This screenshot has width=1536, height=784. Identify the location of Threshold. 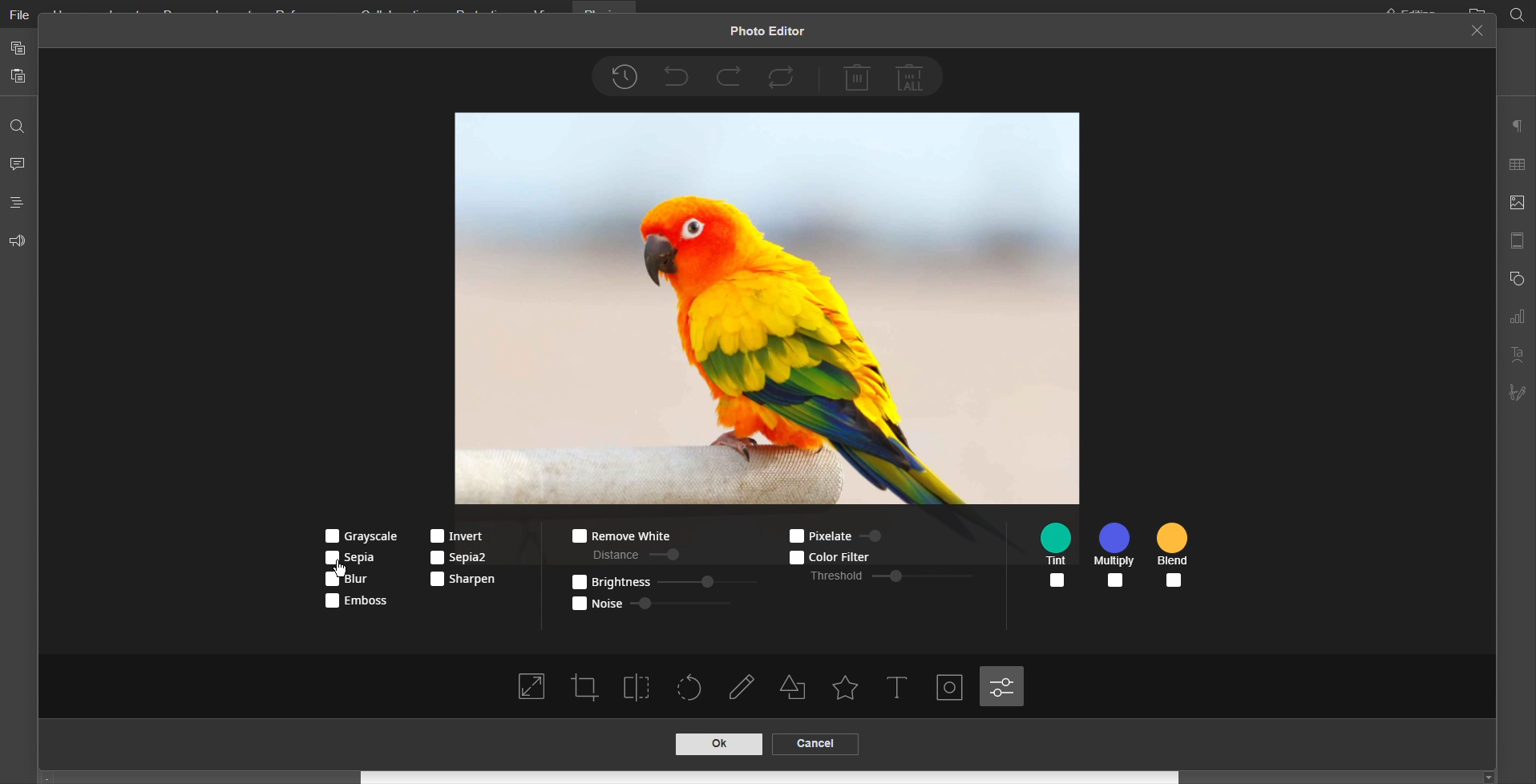
(892, 576).